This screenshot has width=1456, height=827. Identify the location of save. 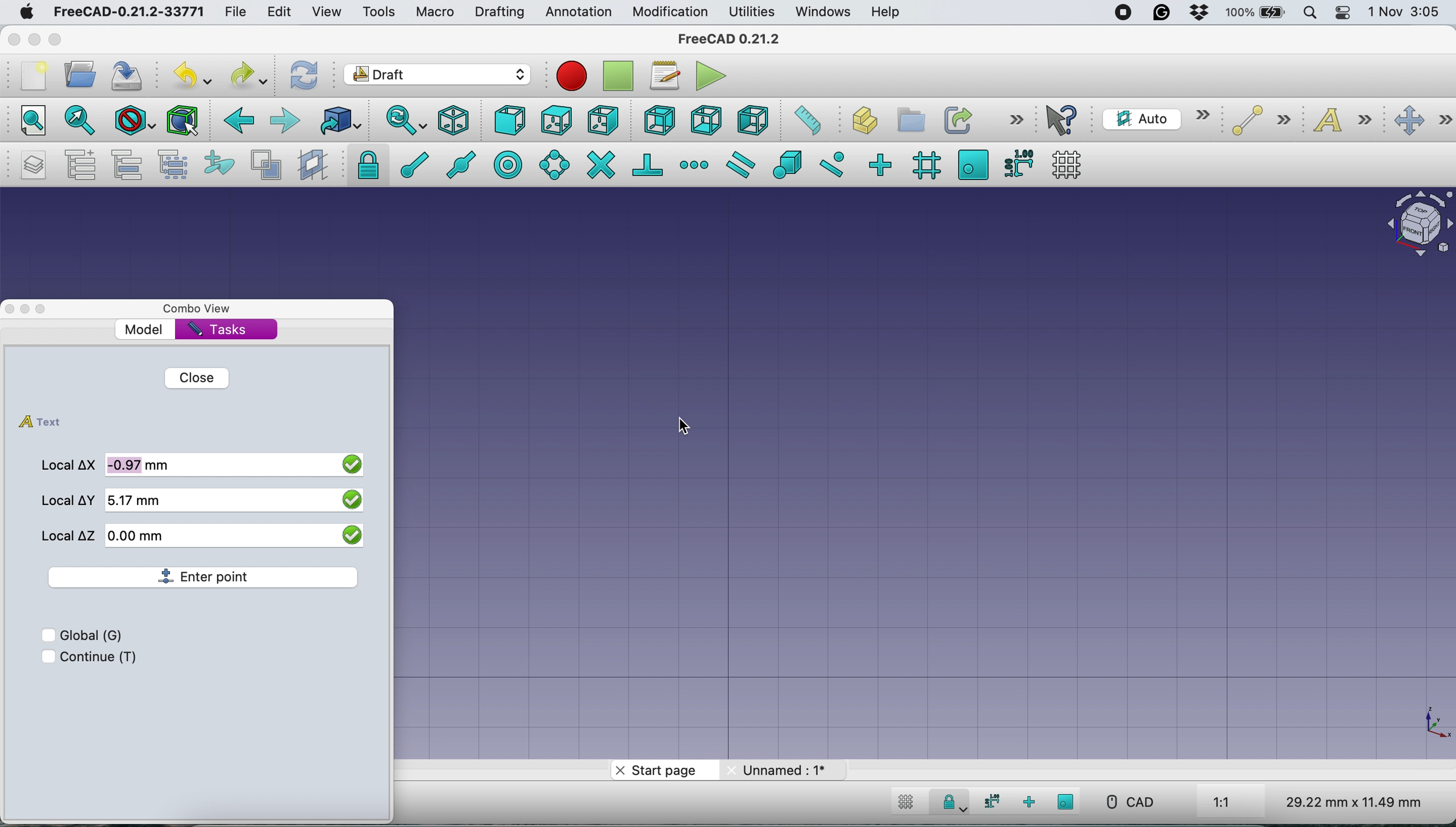
(126, 73).